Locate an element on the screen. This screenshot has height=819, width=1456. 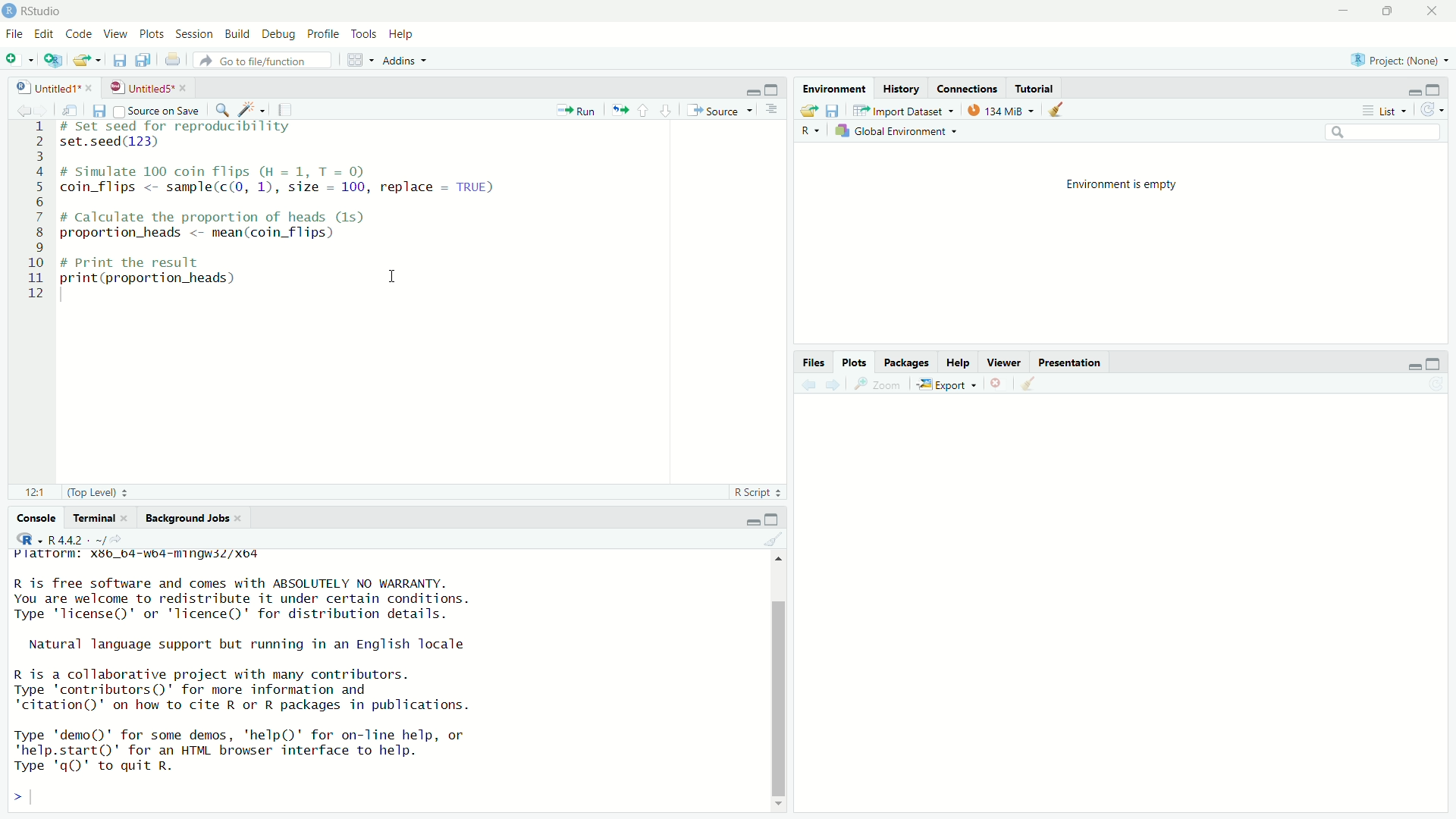
Files is located at coordinates (812, 362).